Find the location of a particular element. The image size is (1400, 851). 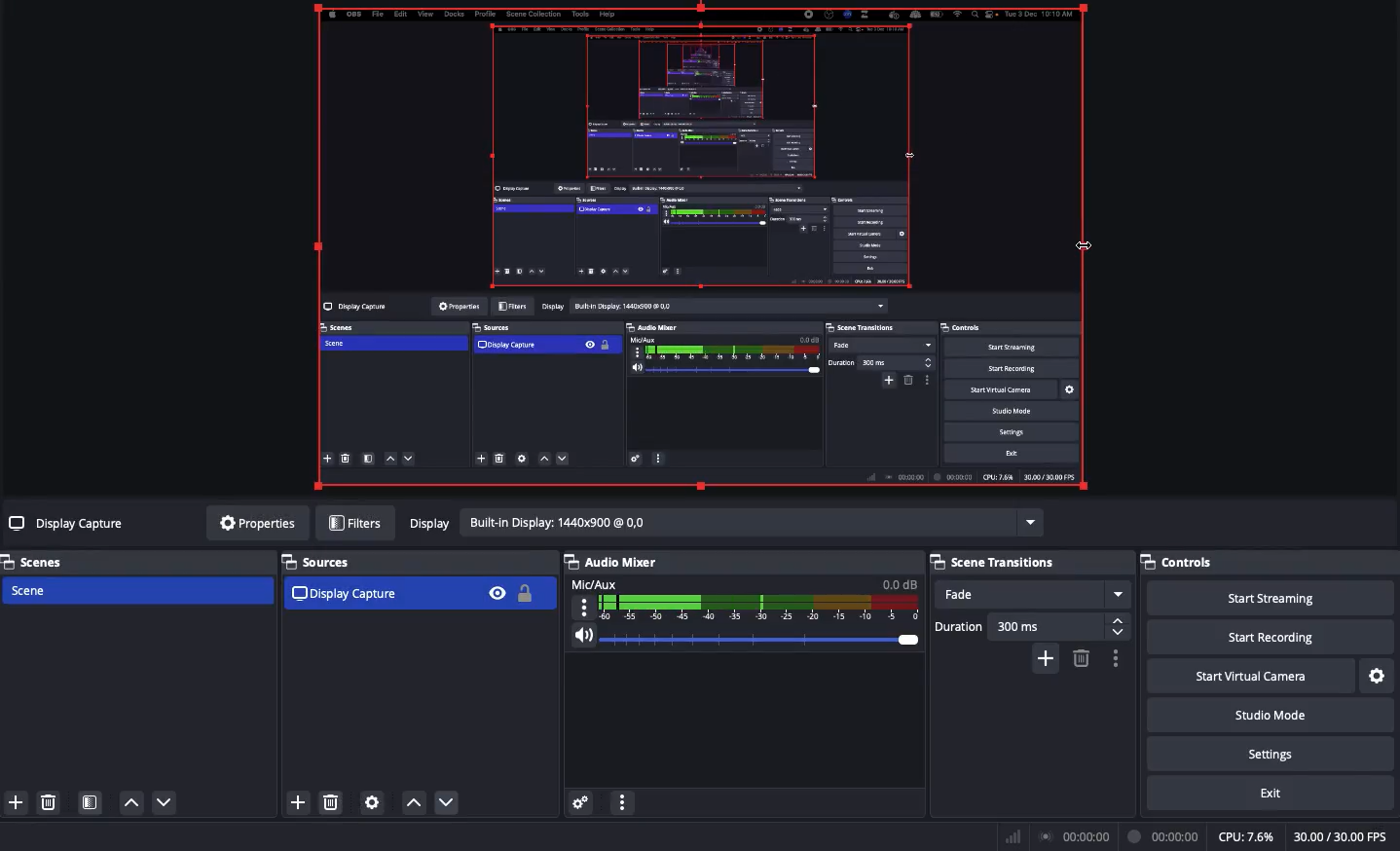

CPU is located at coordinates (1245, 837).